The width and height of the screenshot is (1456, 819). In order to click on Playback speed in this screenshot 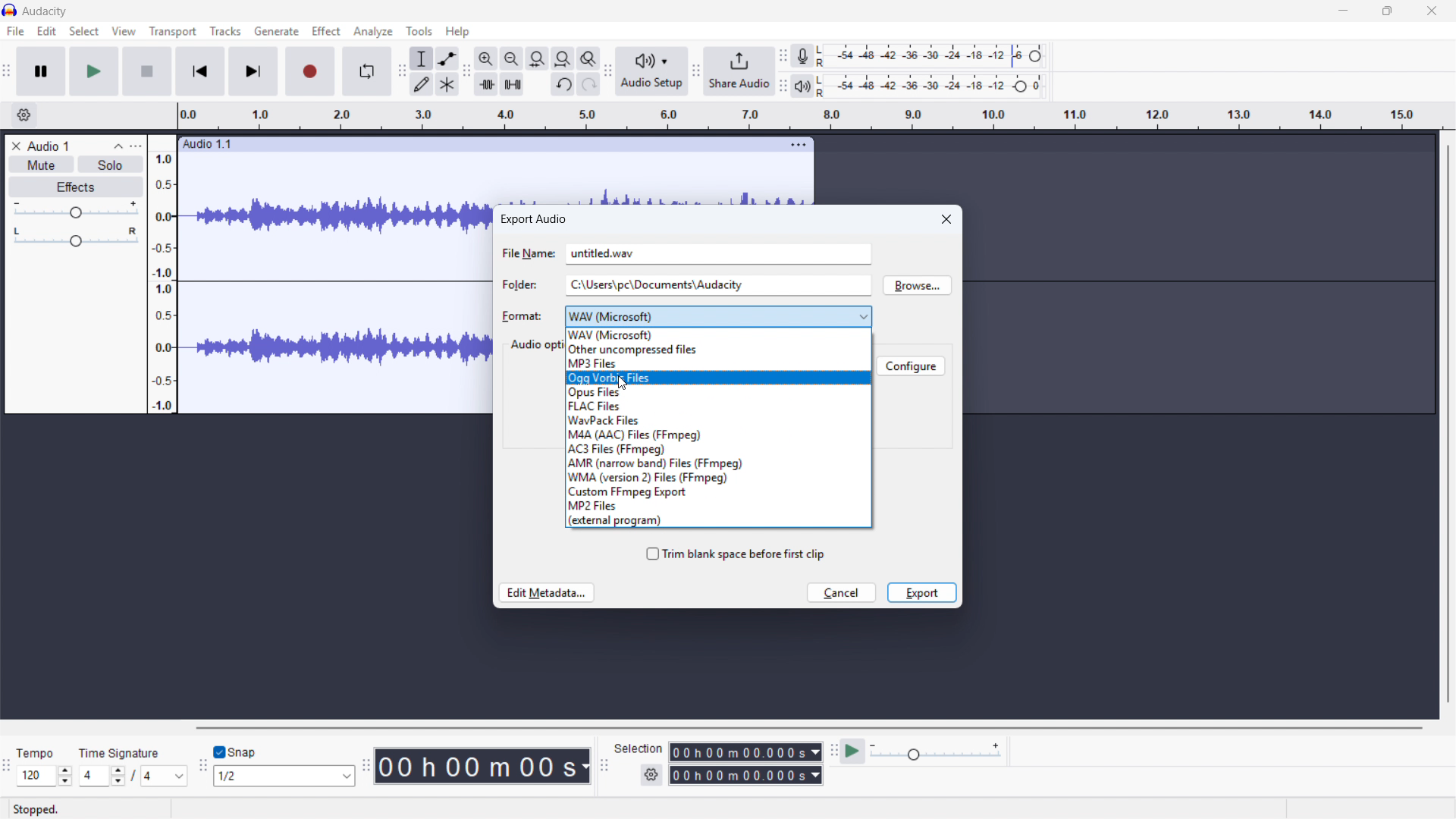, I will do `click(935, 752)`.